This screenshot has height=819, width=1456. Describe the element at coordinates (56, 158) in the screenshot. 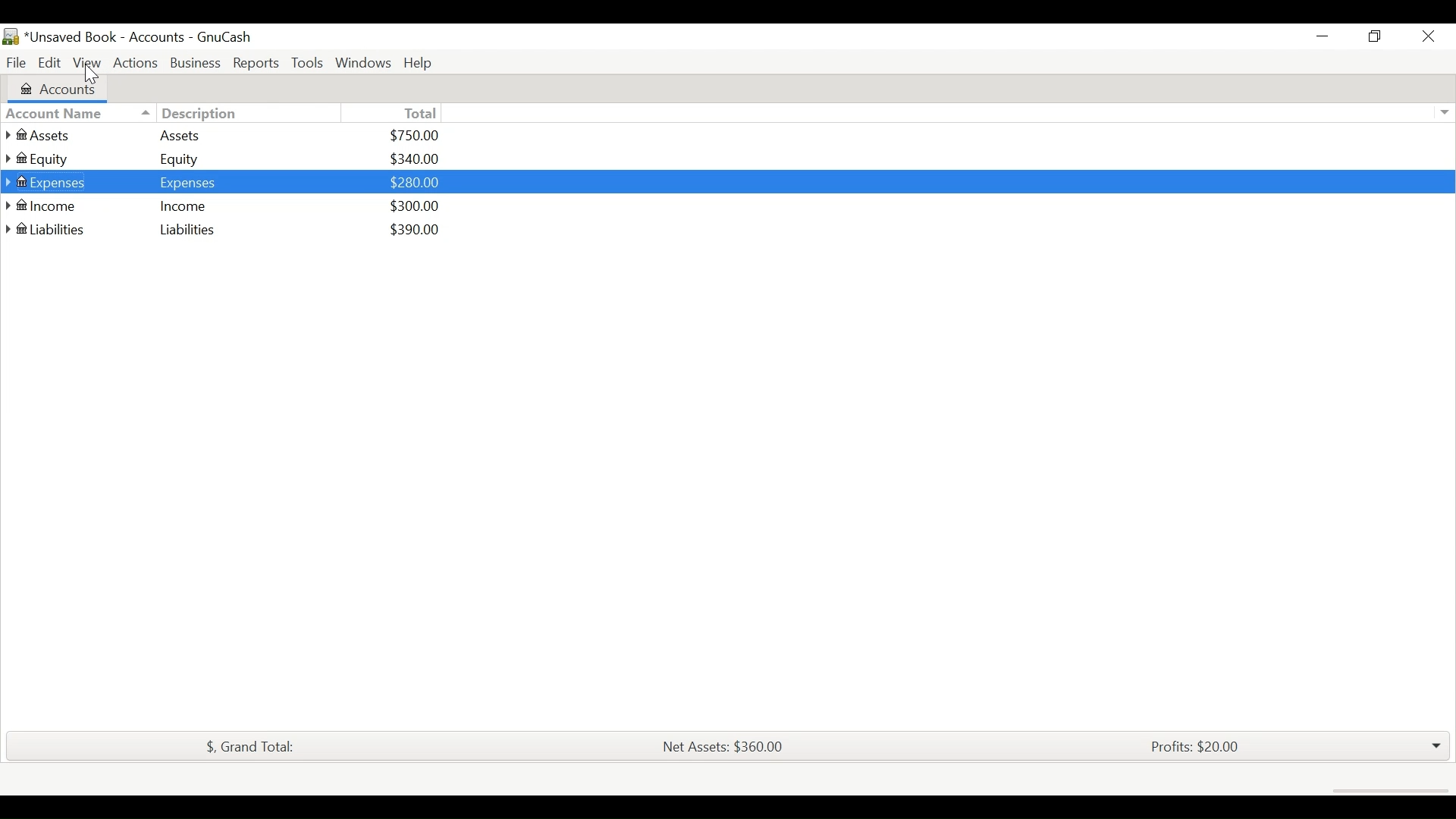

I see `Equity` at that location.